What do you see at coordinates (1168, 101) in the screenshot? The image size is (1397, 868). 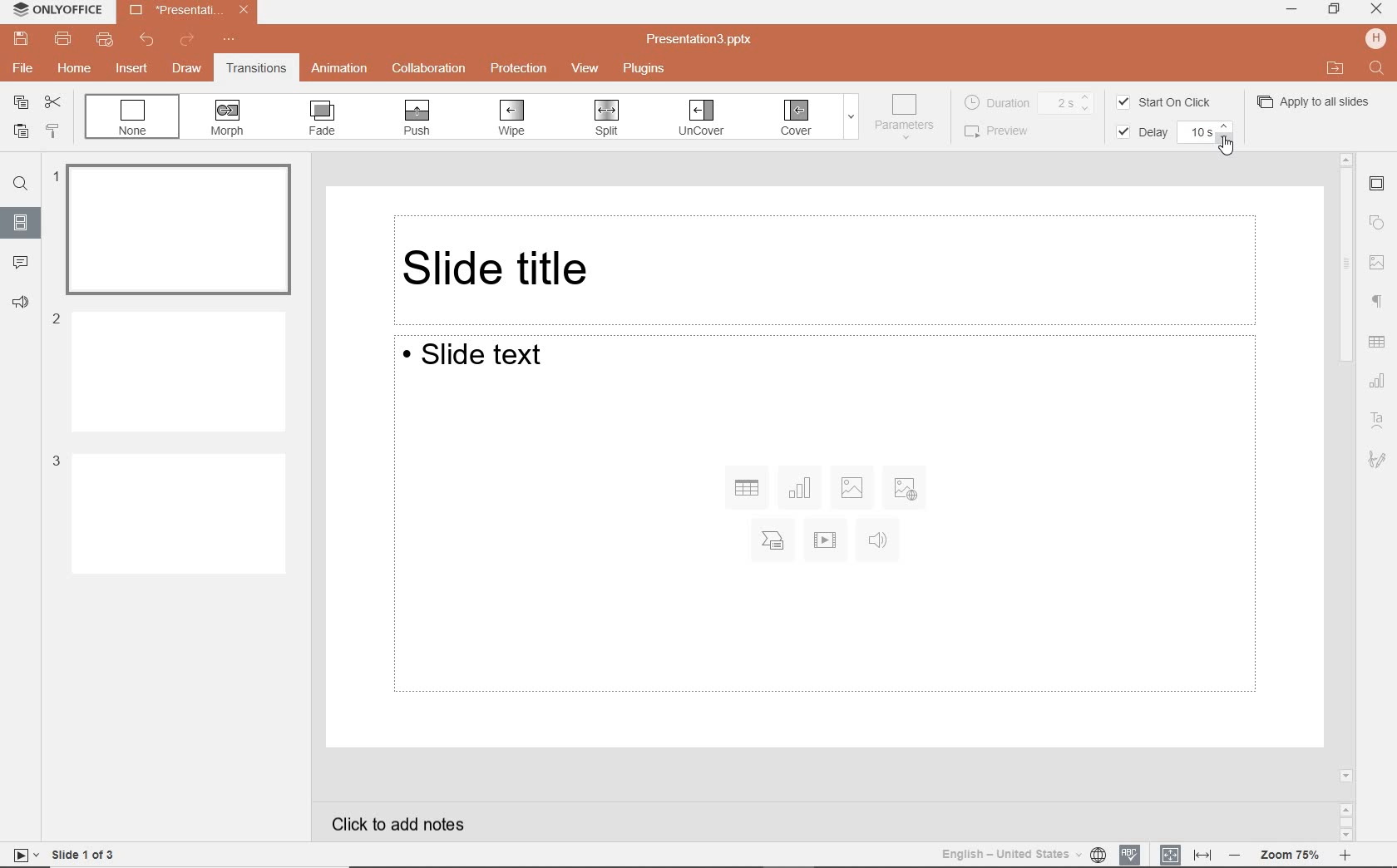 I see `START ON CLICK` at bounding box center [1168, 101].